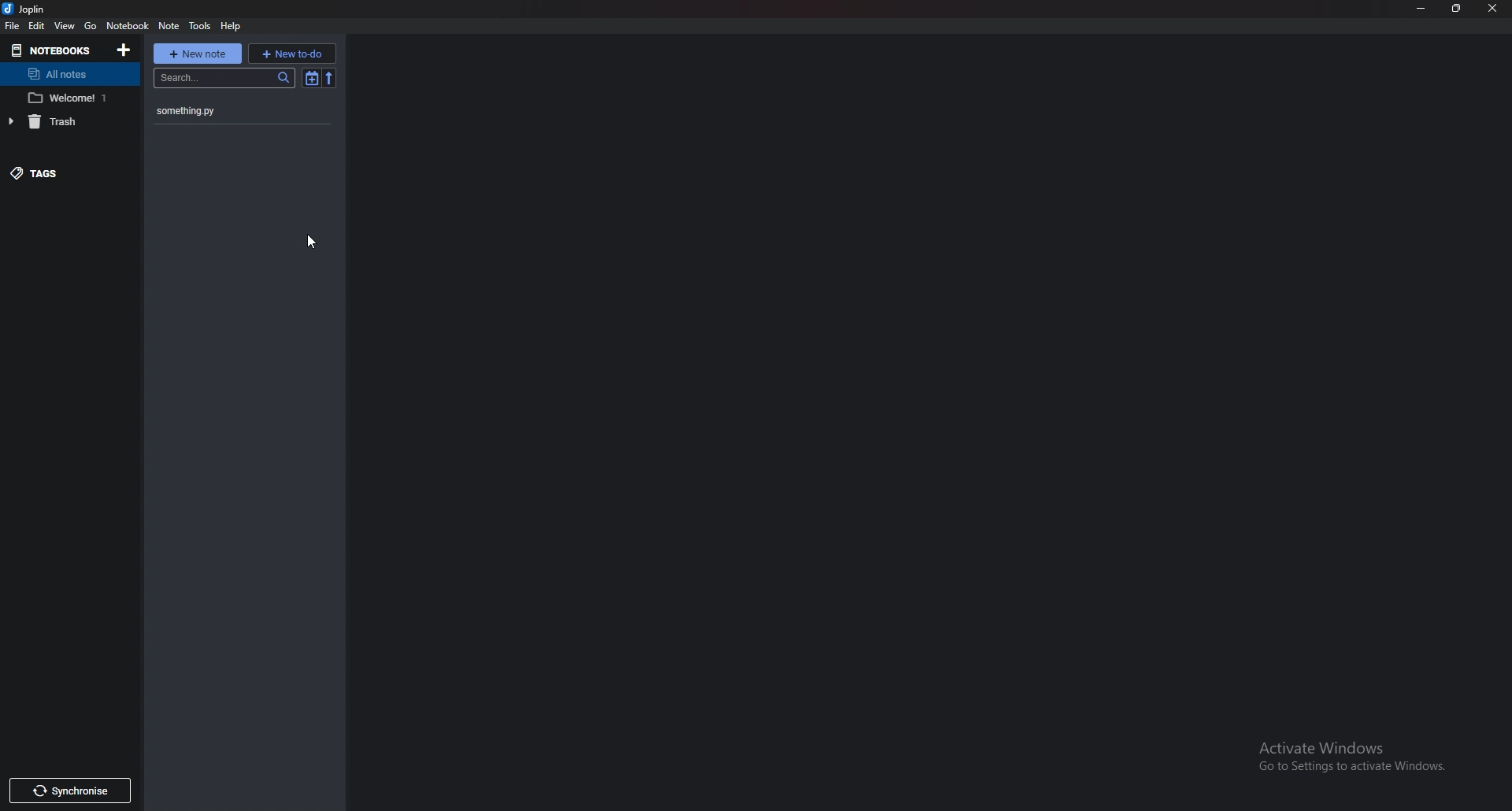 The height and width of the screenshot is (811, 1512). What do you see at coordinates (66, 26) in the screenshot?
I see `view` at bounding box center [66, 26].